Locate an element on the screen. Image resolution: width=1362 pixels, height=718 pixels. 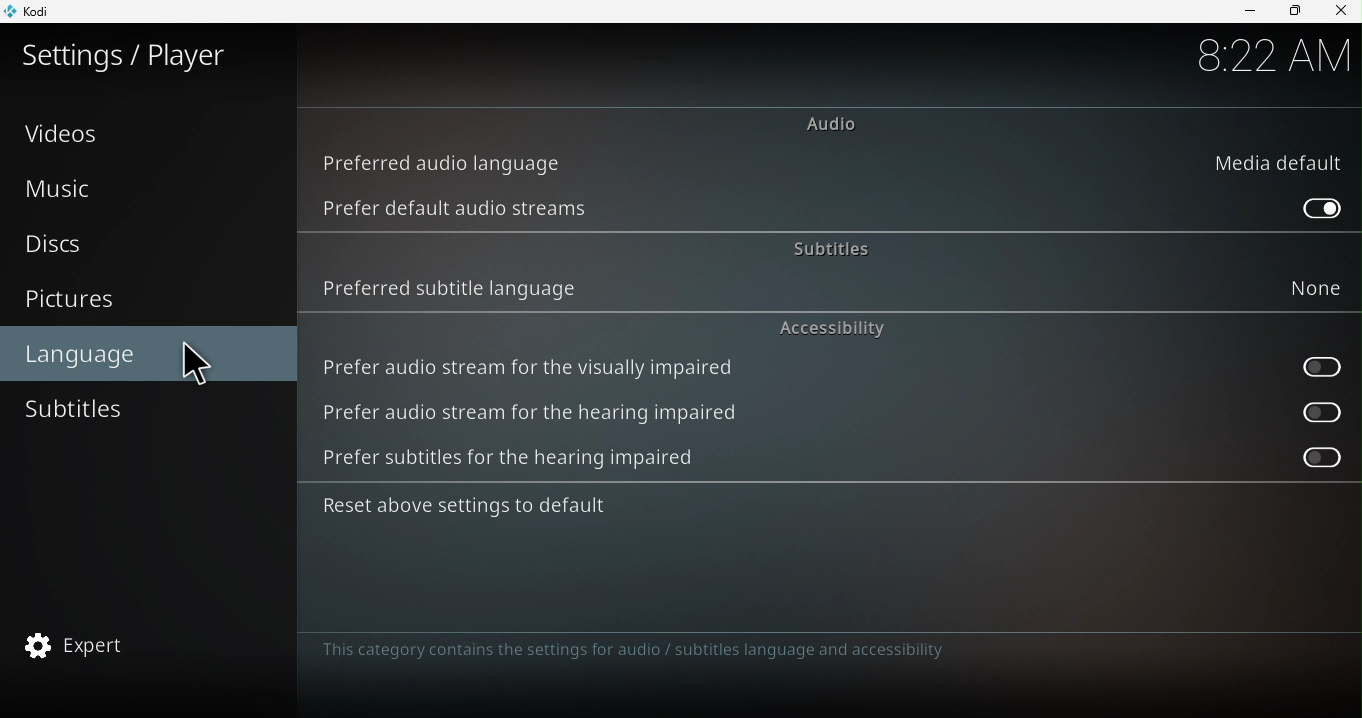
Discs is located at coordinates (140, 248).